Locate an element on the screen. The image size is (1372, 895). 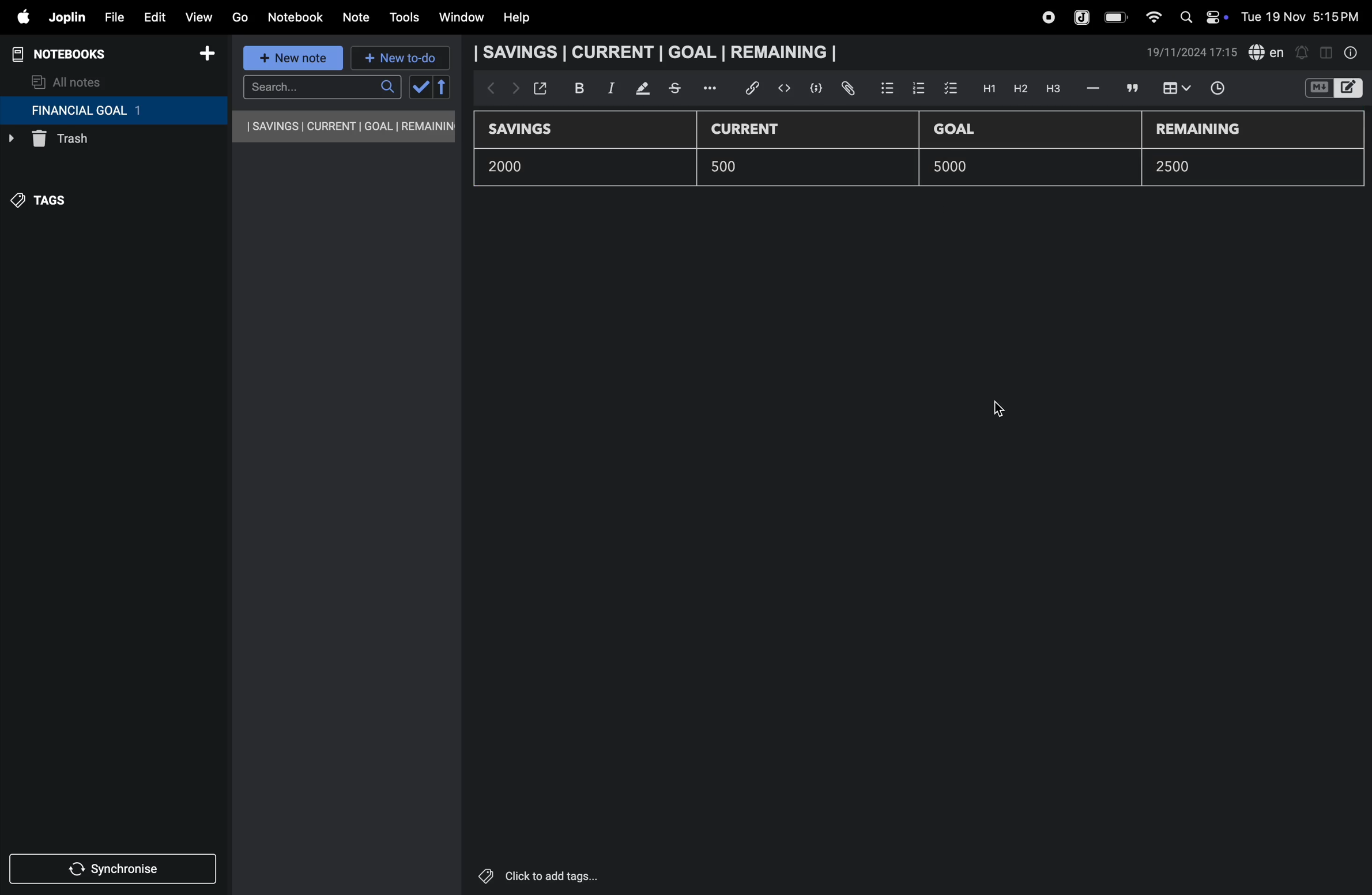
check is located at coordinates (419, 88).